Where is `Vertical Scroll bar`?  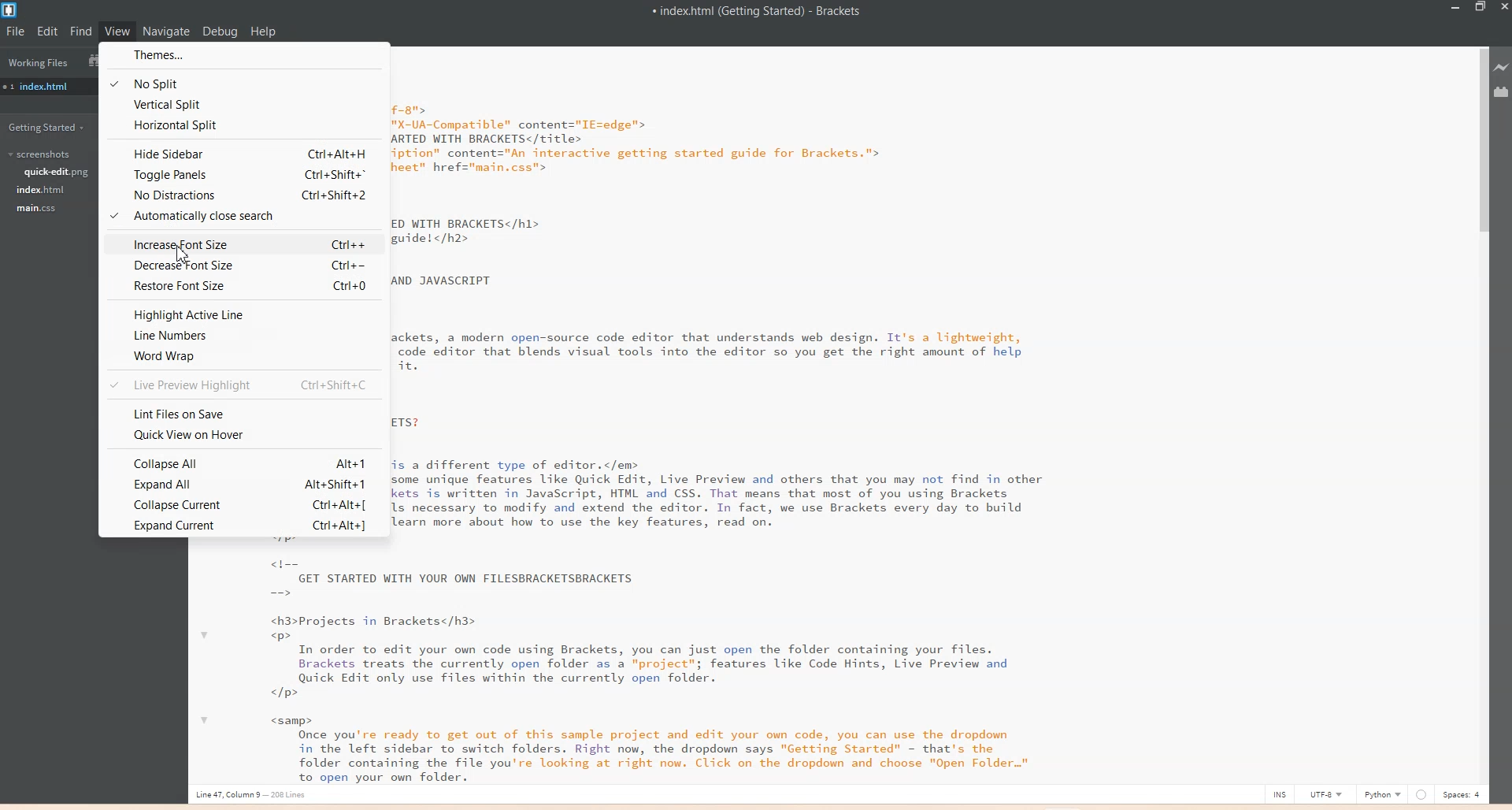 Vertical Scroll bar is located at coordinates (1482, 411).